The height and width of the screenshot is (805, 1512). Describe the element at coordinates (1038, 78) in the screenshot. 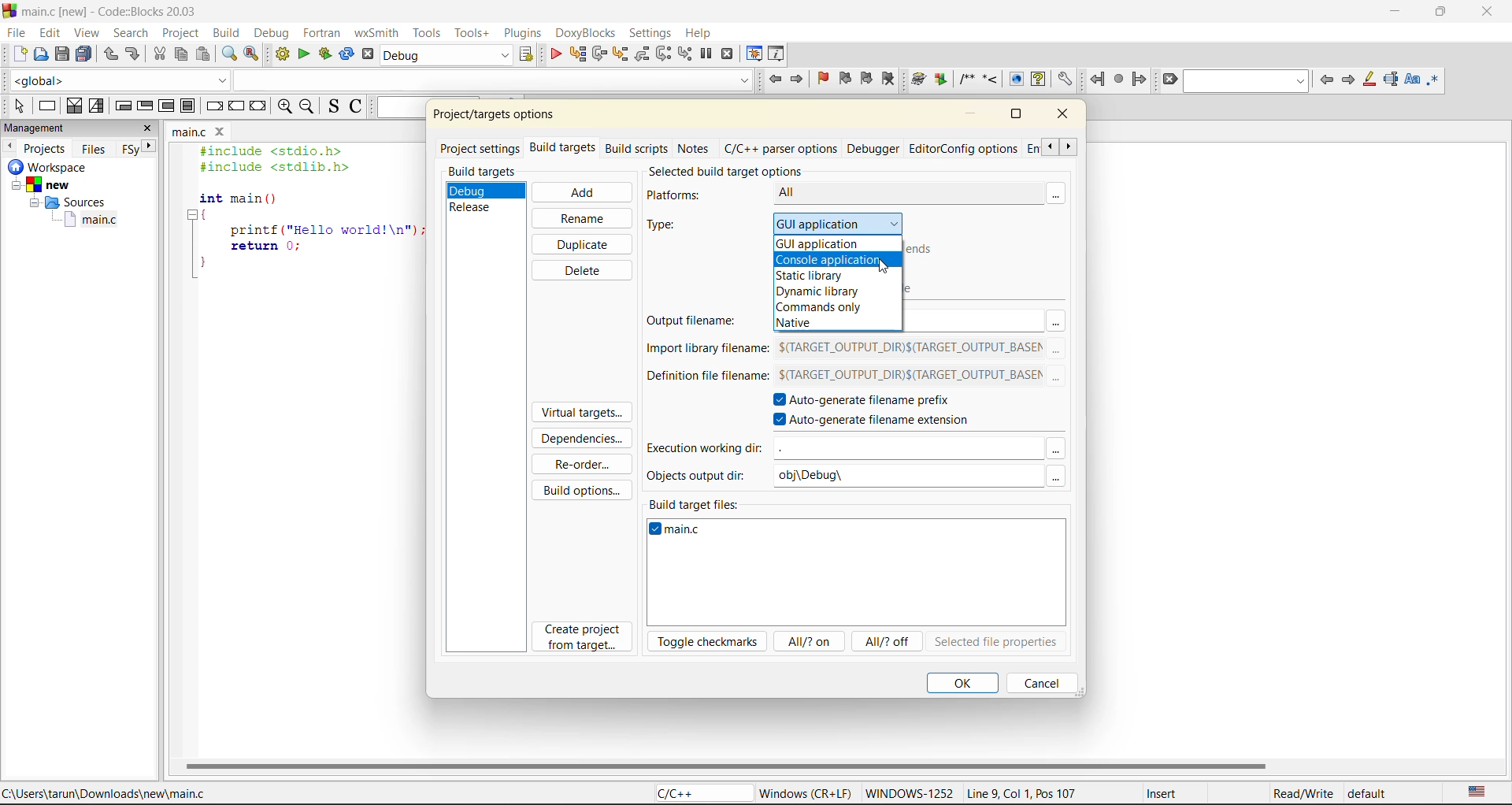

I see `View generated HTML Help documentation` at that location.